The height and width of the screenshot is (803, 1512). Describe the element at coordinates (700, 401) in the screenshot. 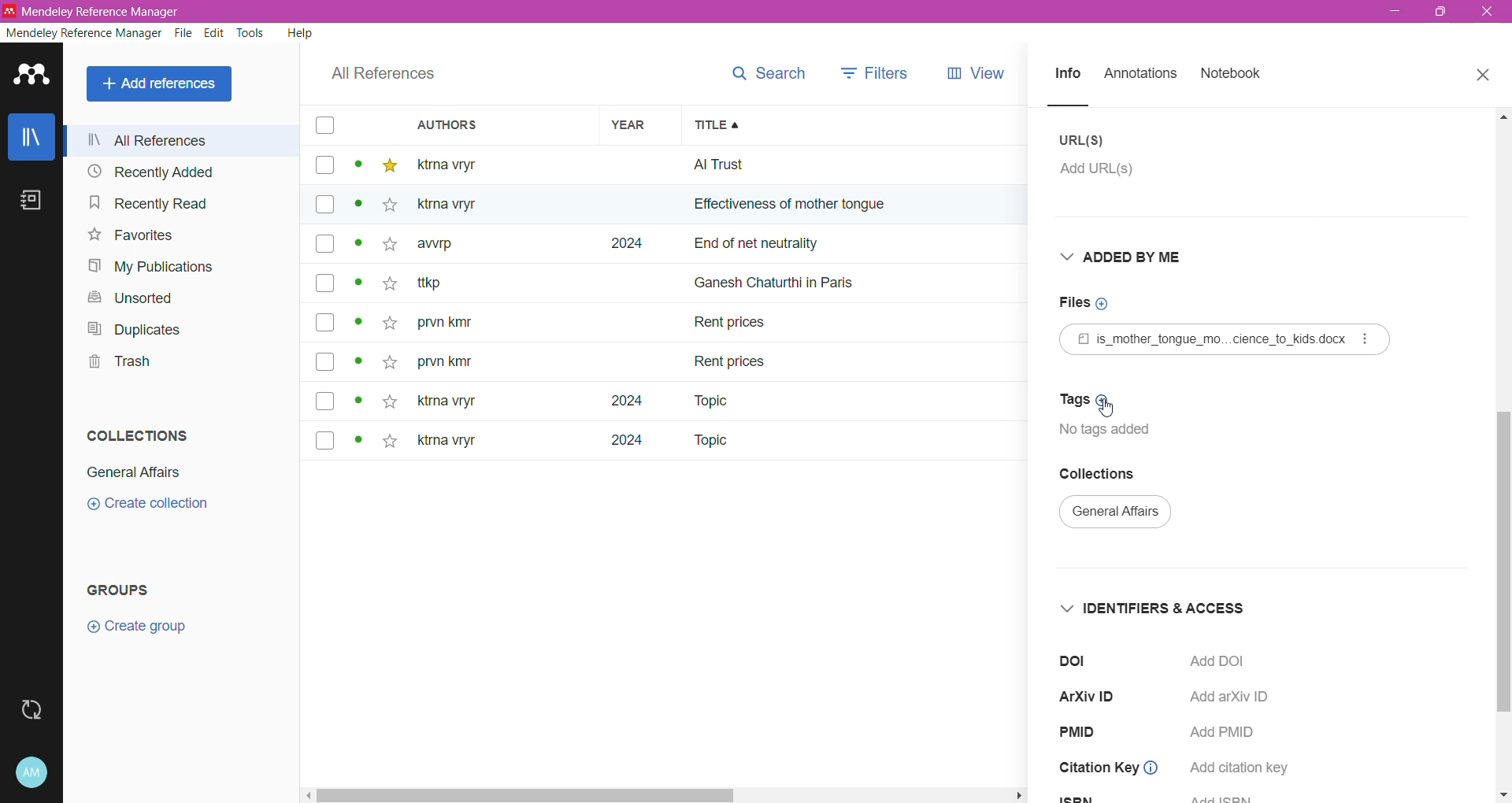

I see `Topic` at that location.